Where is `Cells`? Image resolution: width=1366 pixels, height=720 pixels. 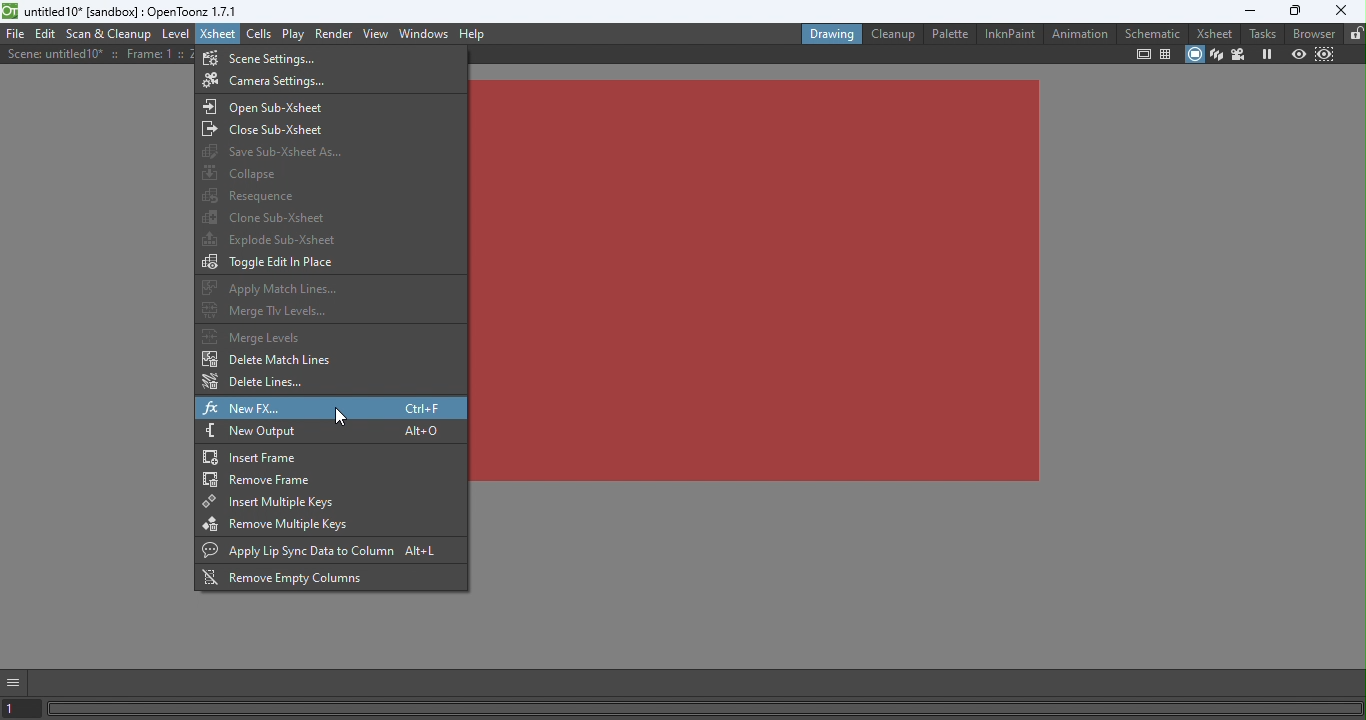
Cells is located at coordinates (262, 34).